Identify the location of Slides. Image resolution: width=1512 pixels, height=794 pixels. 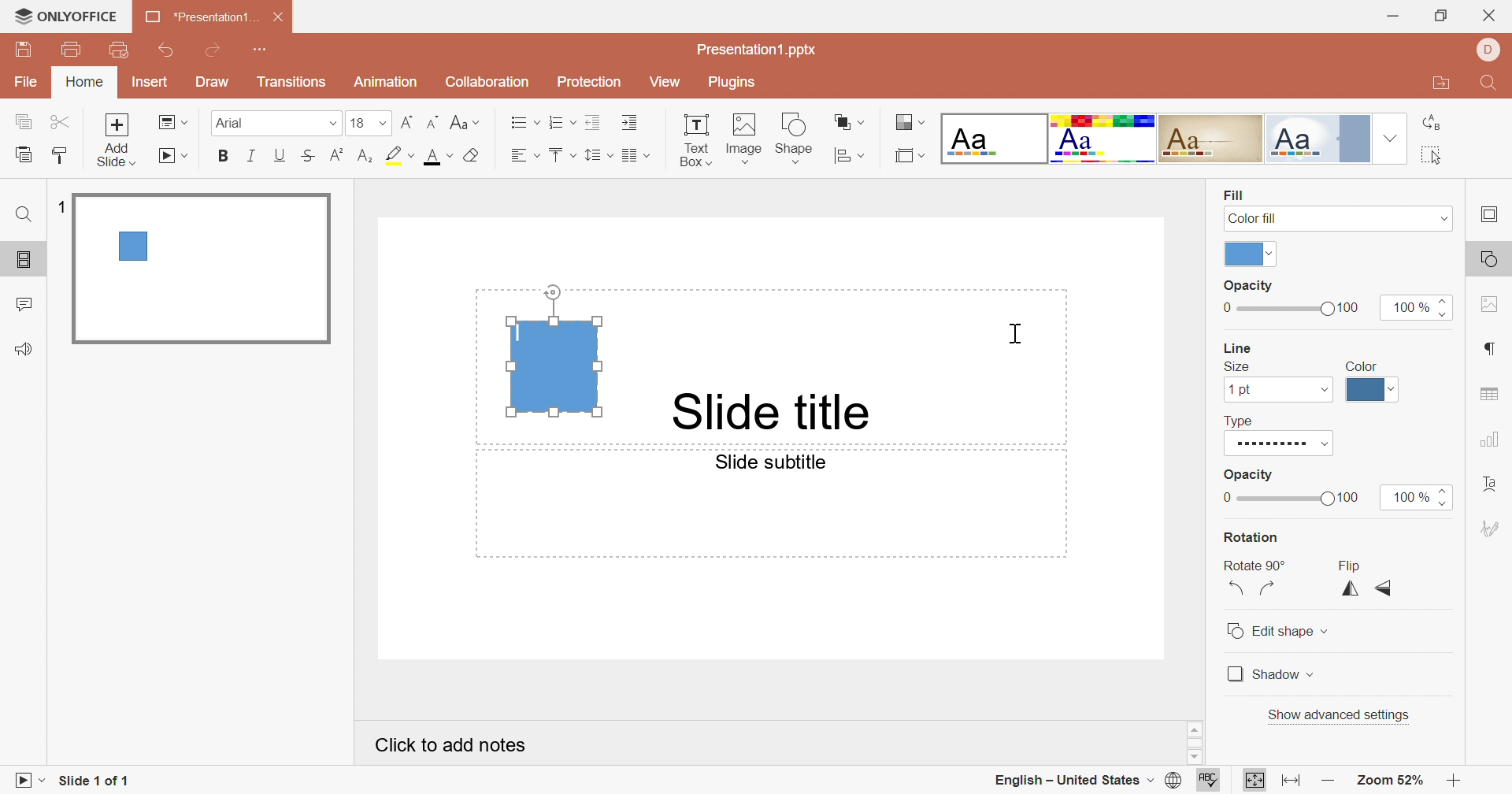
(27, 260).